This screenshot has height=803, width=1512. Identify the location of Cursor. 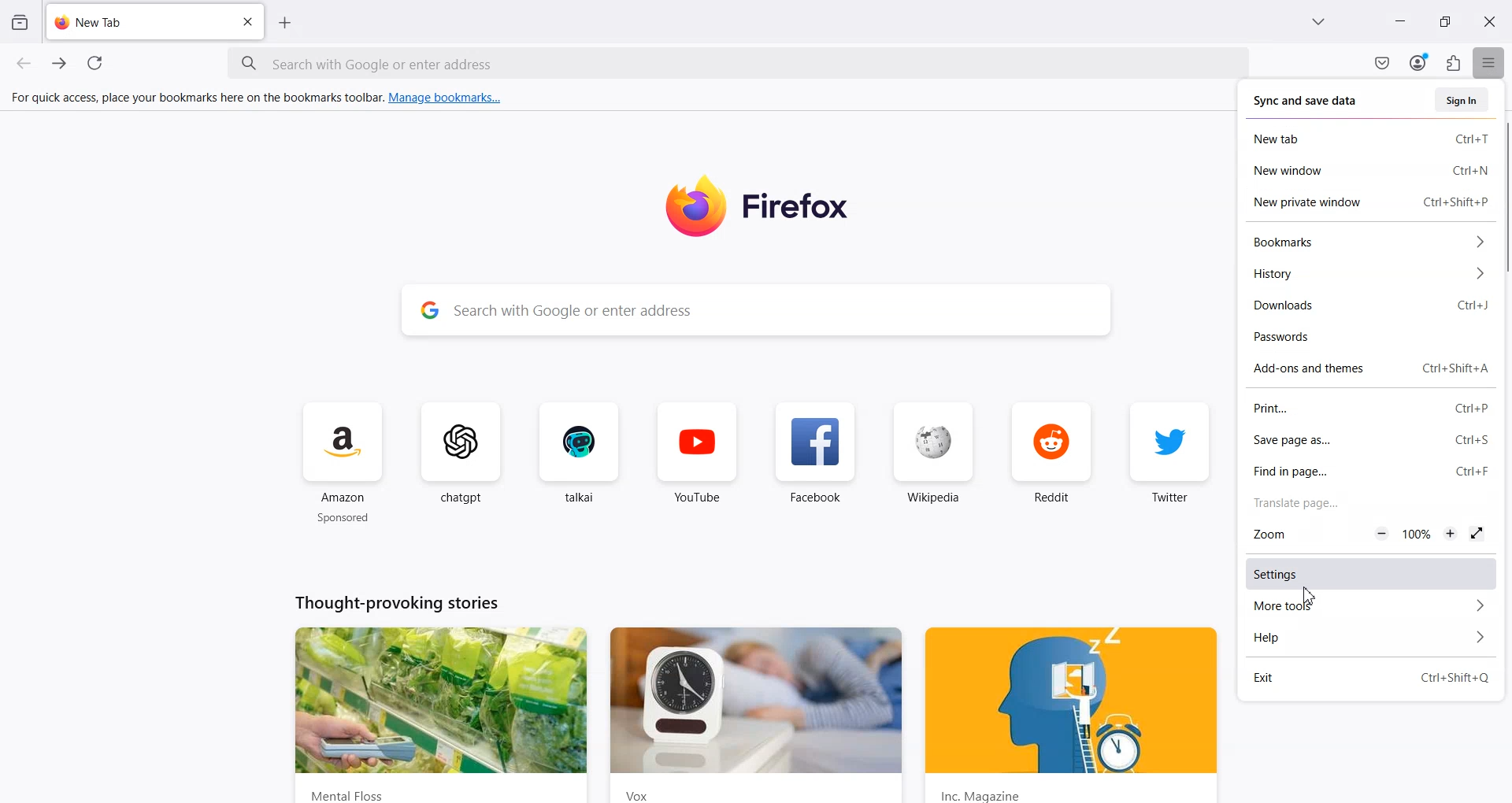
(1308, 591).